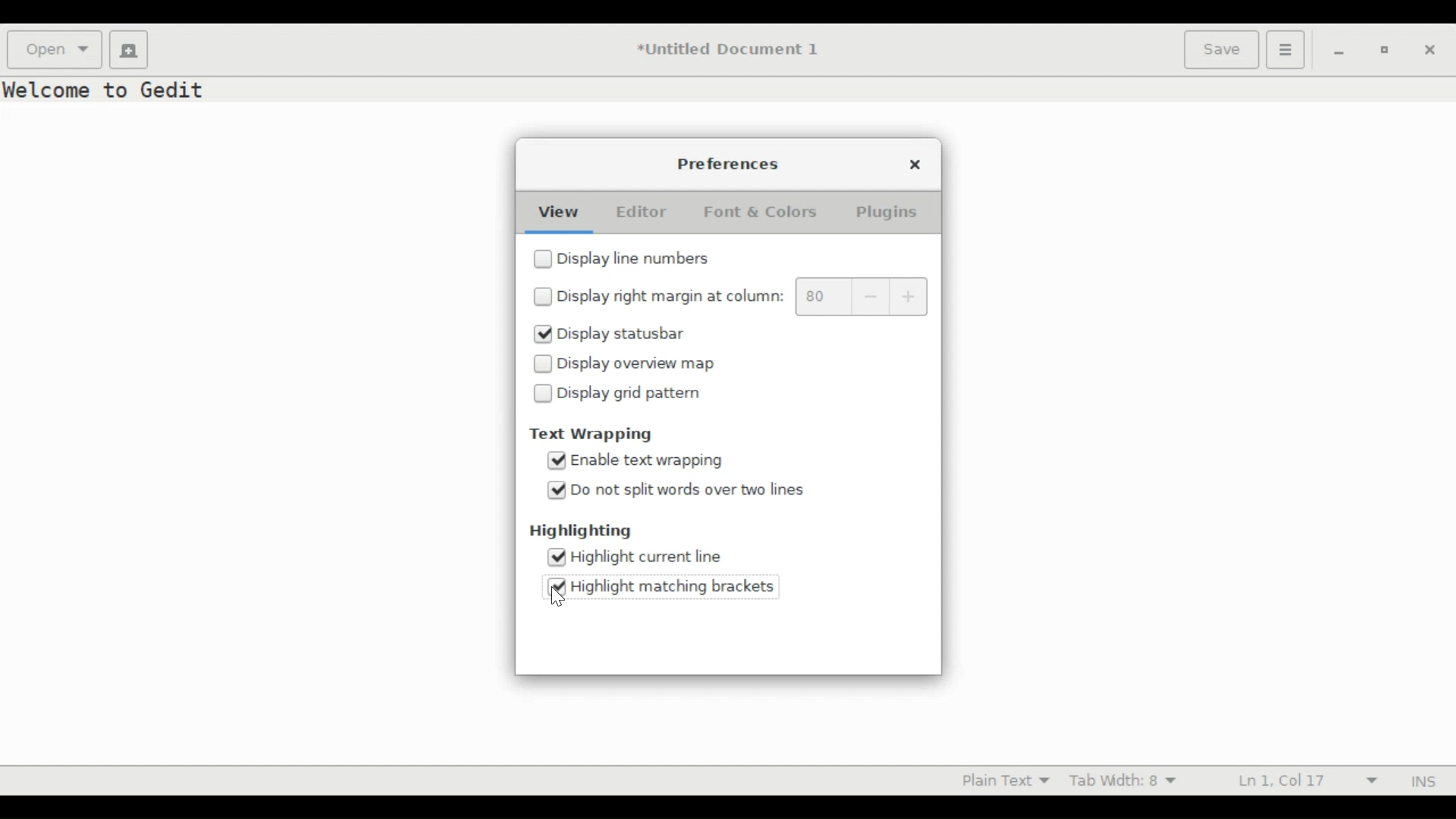 The width and height of the screenshot is (1456, 819). I want to click on Highlighting, so click(577, 531).